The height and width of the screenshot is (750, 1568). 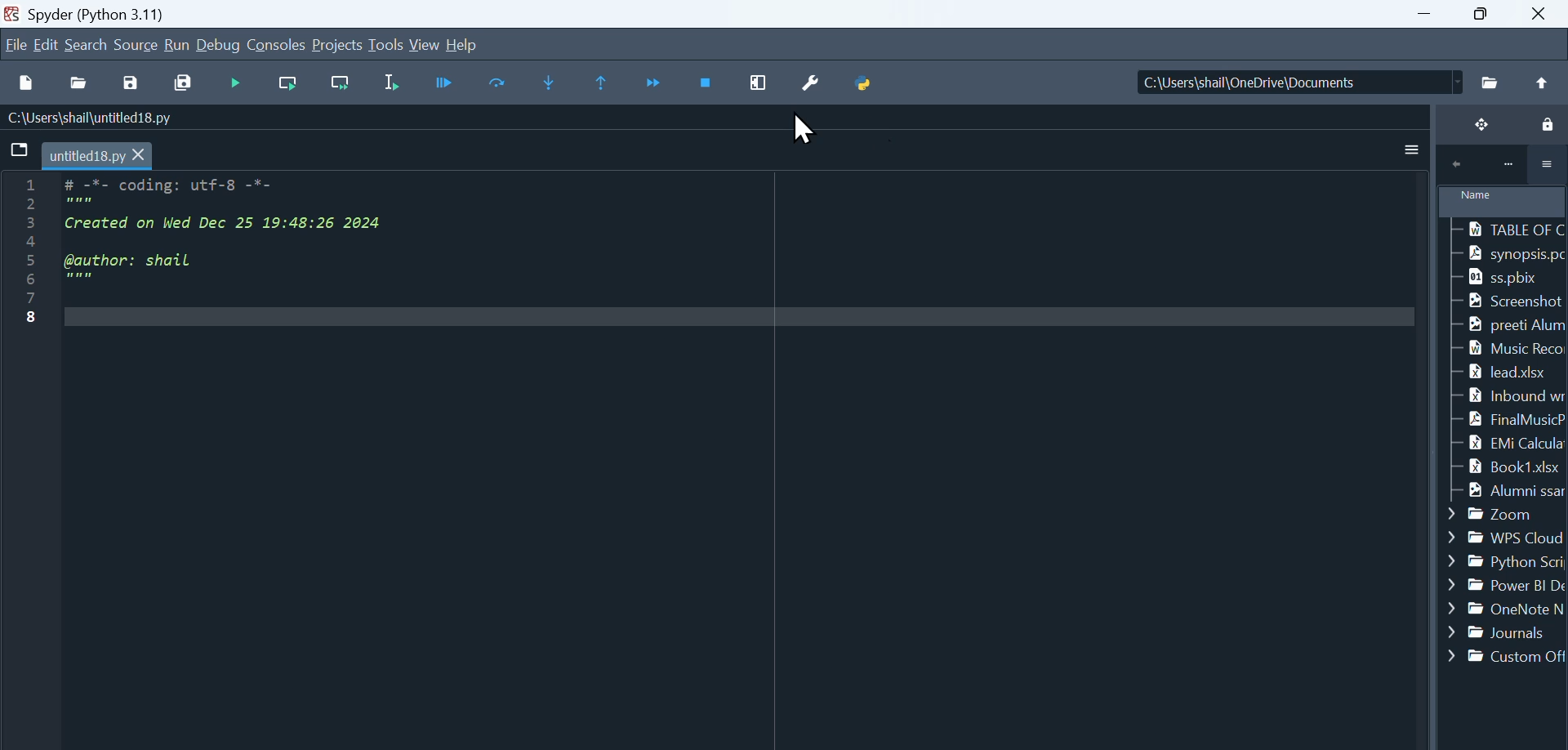 What do you see at coordinates (136, 79) in the screenshot?
I see `Save` at bounding box center [136, 79].